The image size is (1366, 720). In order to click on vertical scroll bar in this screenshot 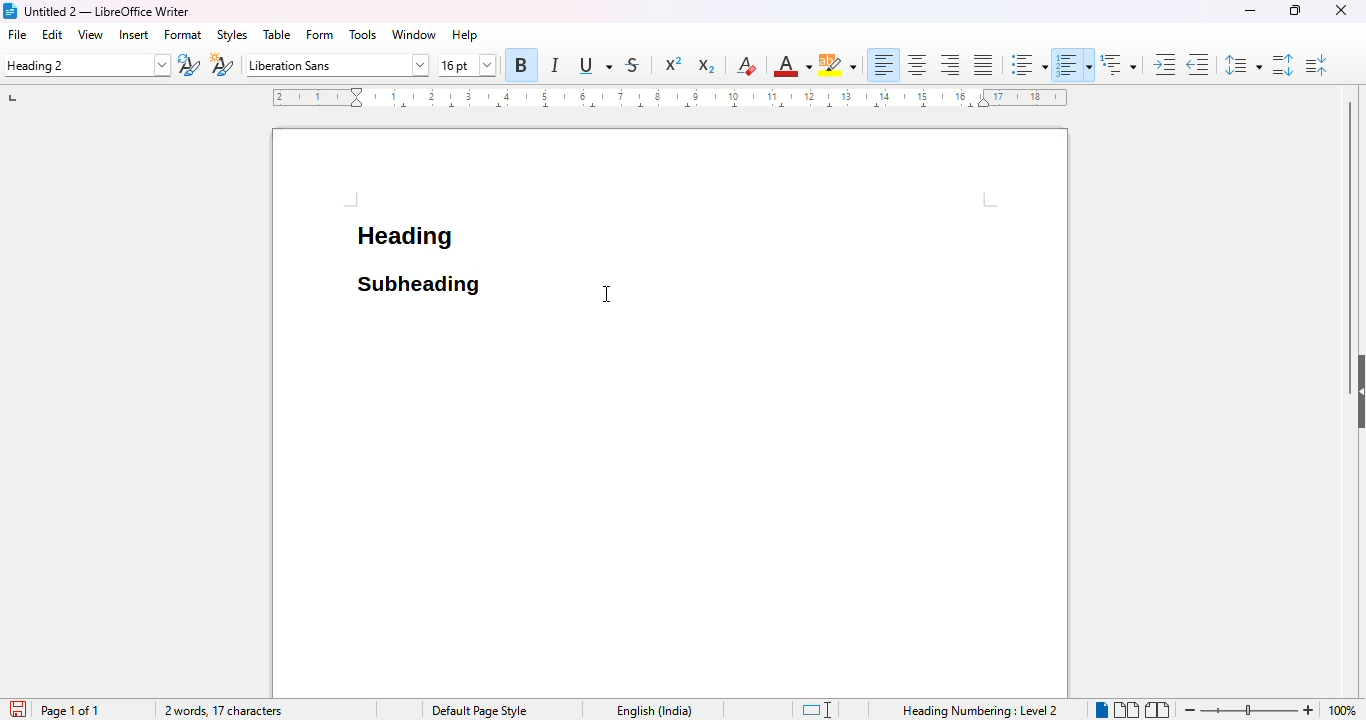, I will do `click(1346, 222)`.